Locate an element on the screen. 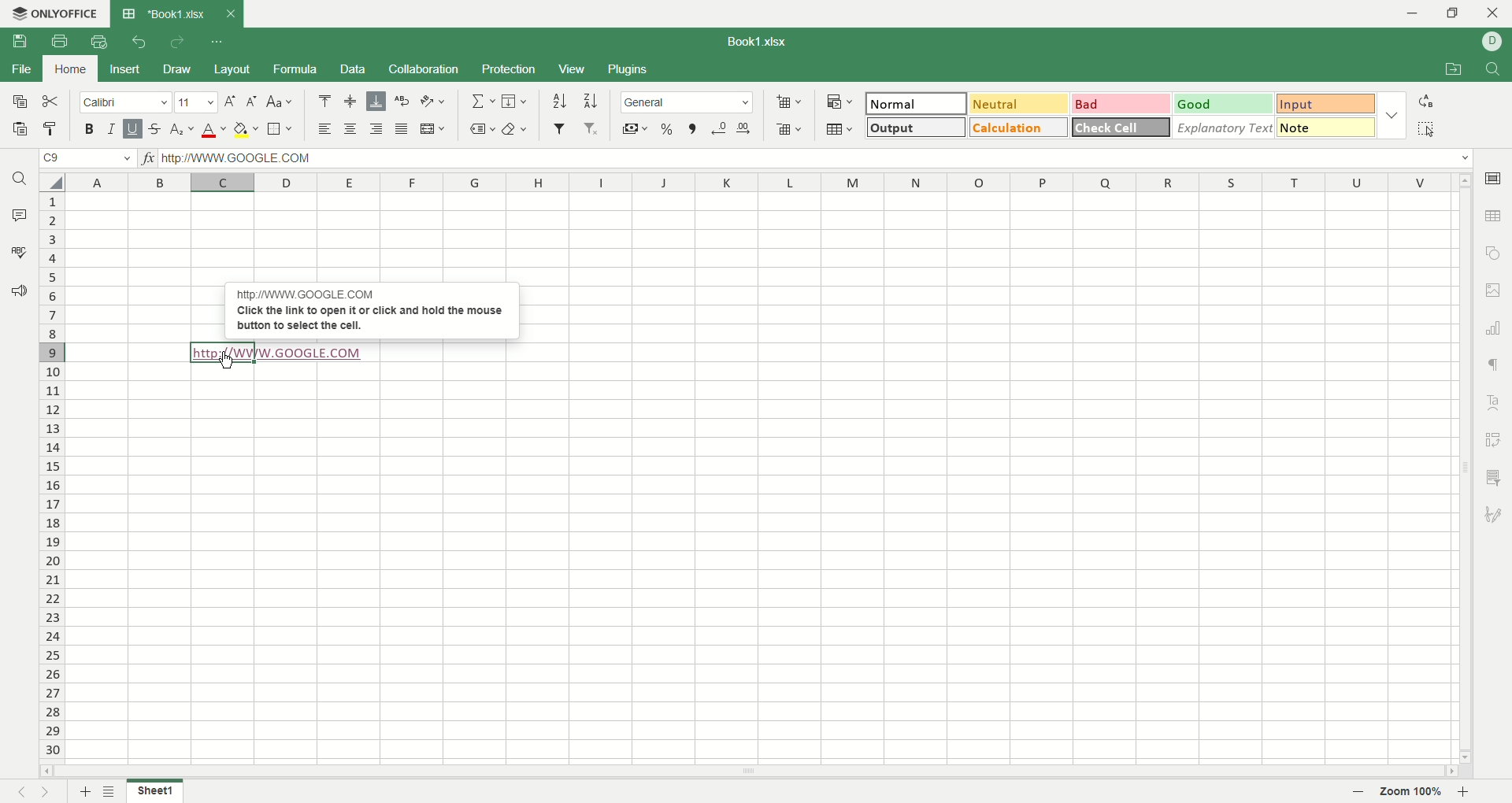  find is located at coordinates (1495, 68).